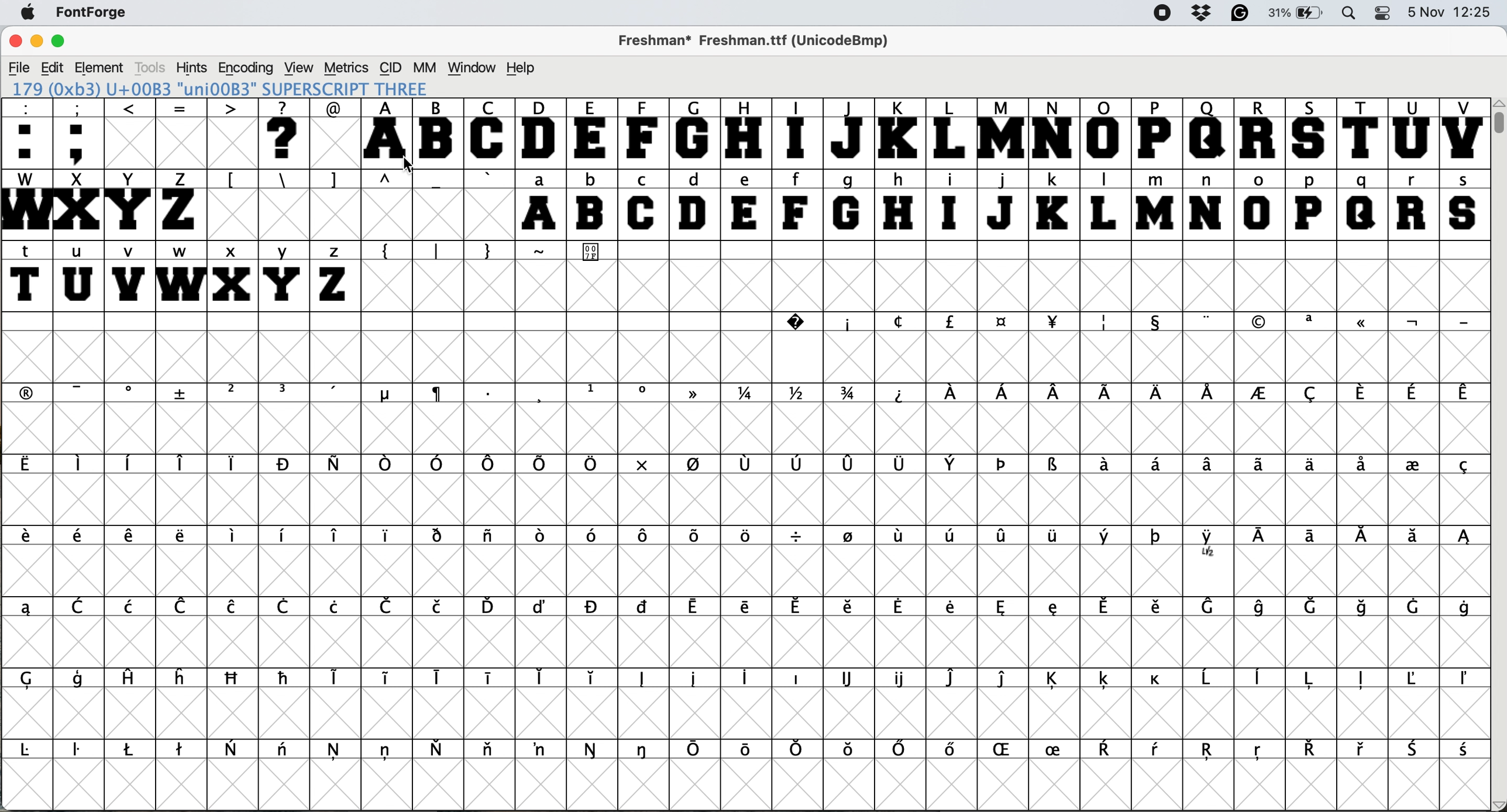 The image size is (1507, 812). Describe the element at coordinates (645, 749) in the screenshot. I see `symbol` at that location.